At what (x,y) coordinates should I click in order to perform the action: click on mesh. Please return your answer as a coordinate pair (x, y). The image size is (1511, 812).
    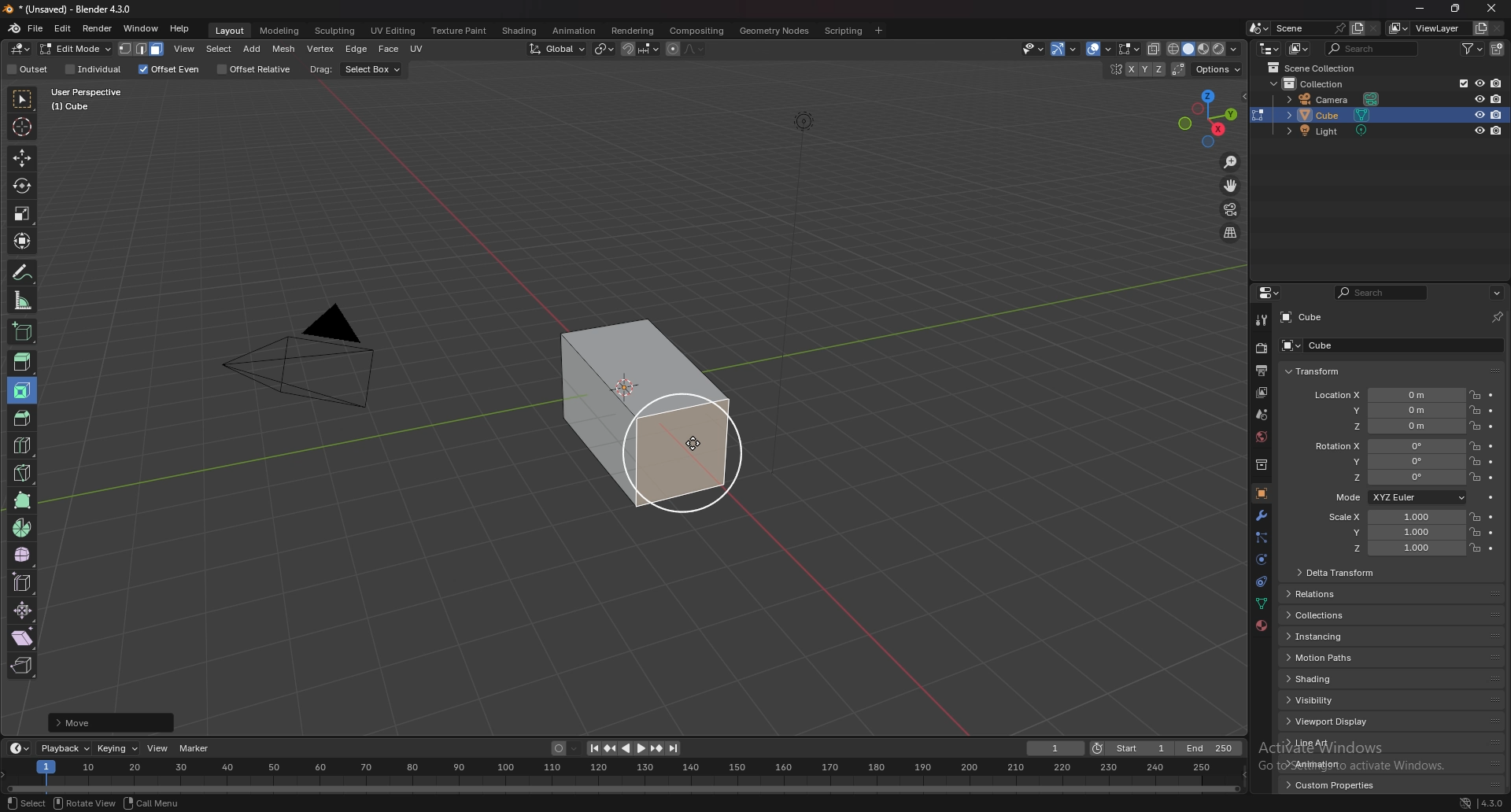
    Looking at the image, I should click on (284, 50).